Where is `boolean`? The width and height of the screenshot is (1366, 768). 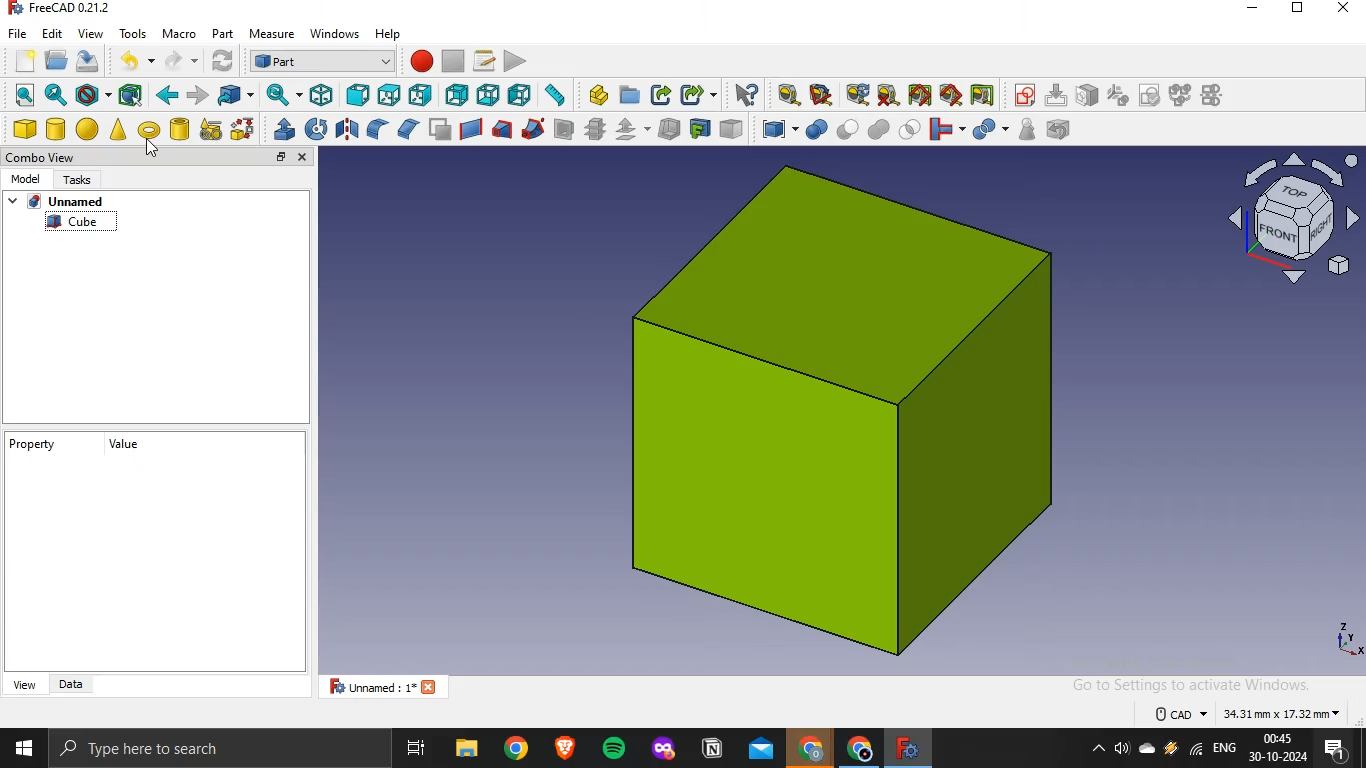 boolean is located at coordinates (816, 128).